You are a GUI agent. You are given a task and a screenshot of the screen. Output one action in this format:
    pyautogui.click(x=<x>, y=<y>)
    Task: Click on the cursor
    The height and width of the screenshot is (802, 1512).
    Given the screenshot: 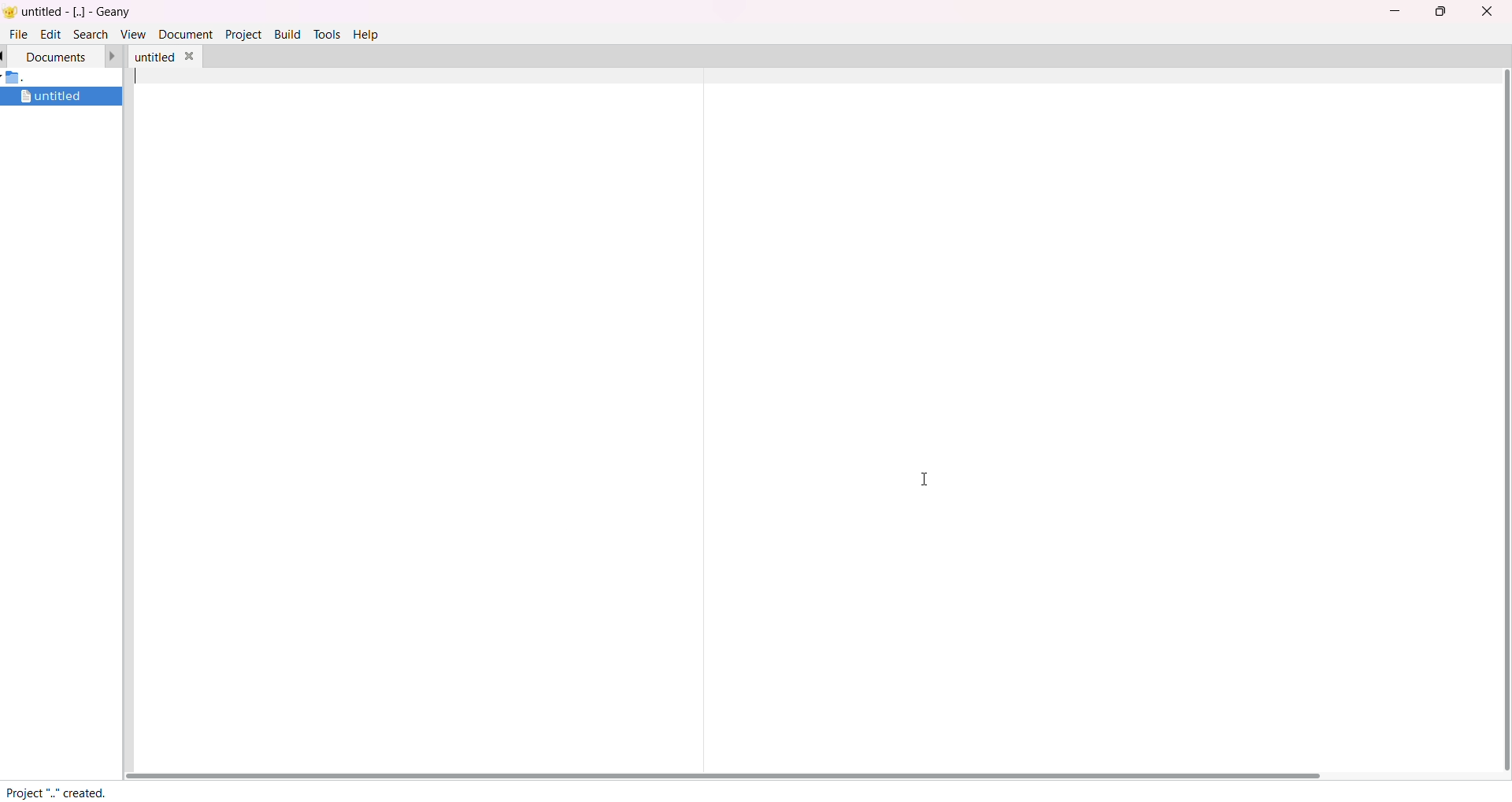 What is the action you would take?
    pyautogui.click(x=926, y=484)
    